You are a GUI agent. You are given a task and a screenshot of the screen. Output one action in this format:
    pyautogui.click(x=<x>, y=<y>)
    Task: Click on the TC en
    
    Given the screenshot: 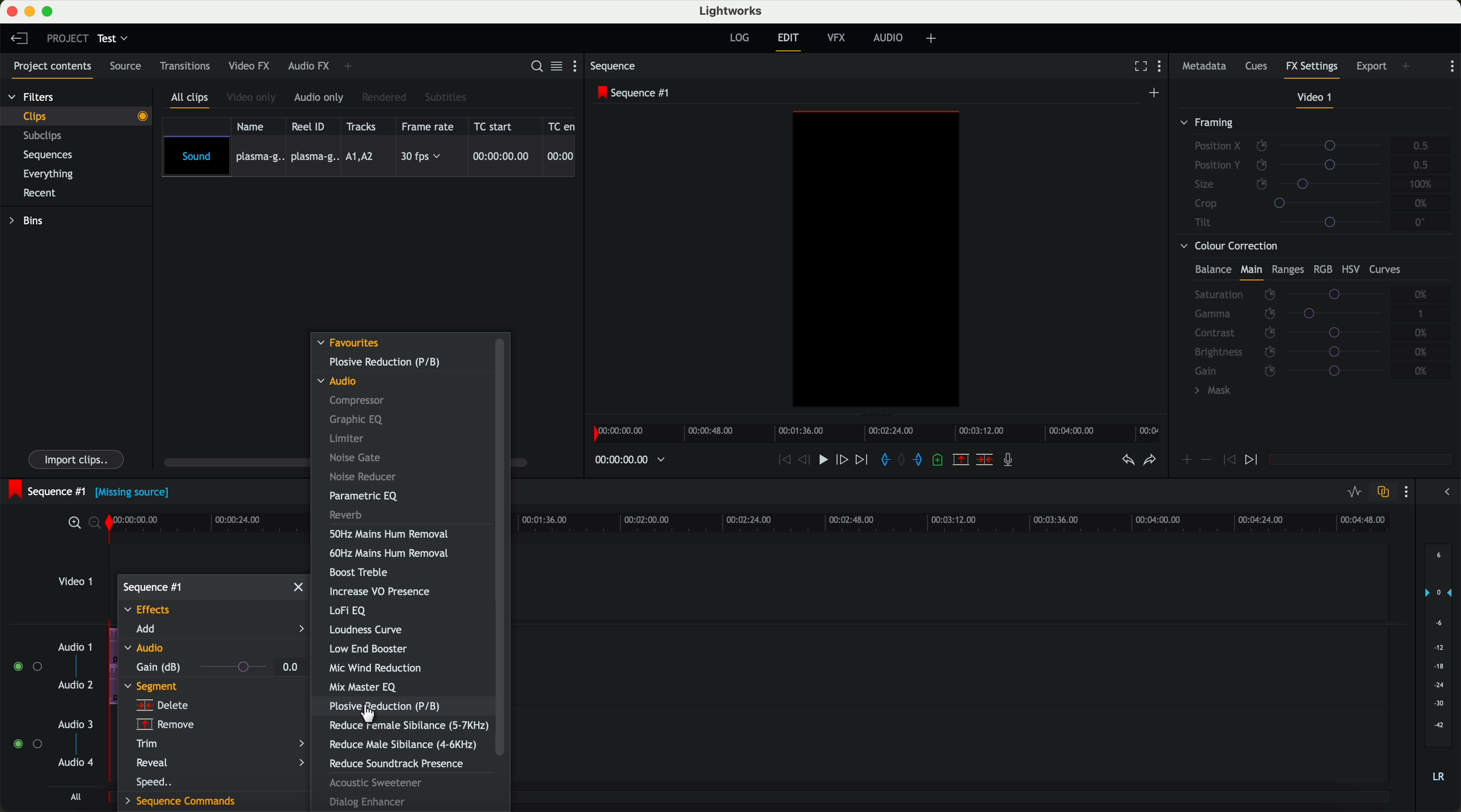 What is the action you would take?
    pyautogui.click(x=562, y=125)
    